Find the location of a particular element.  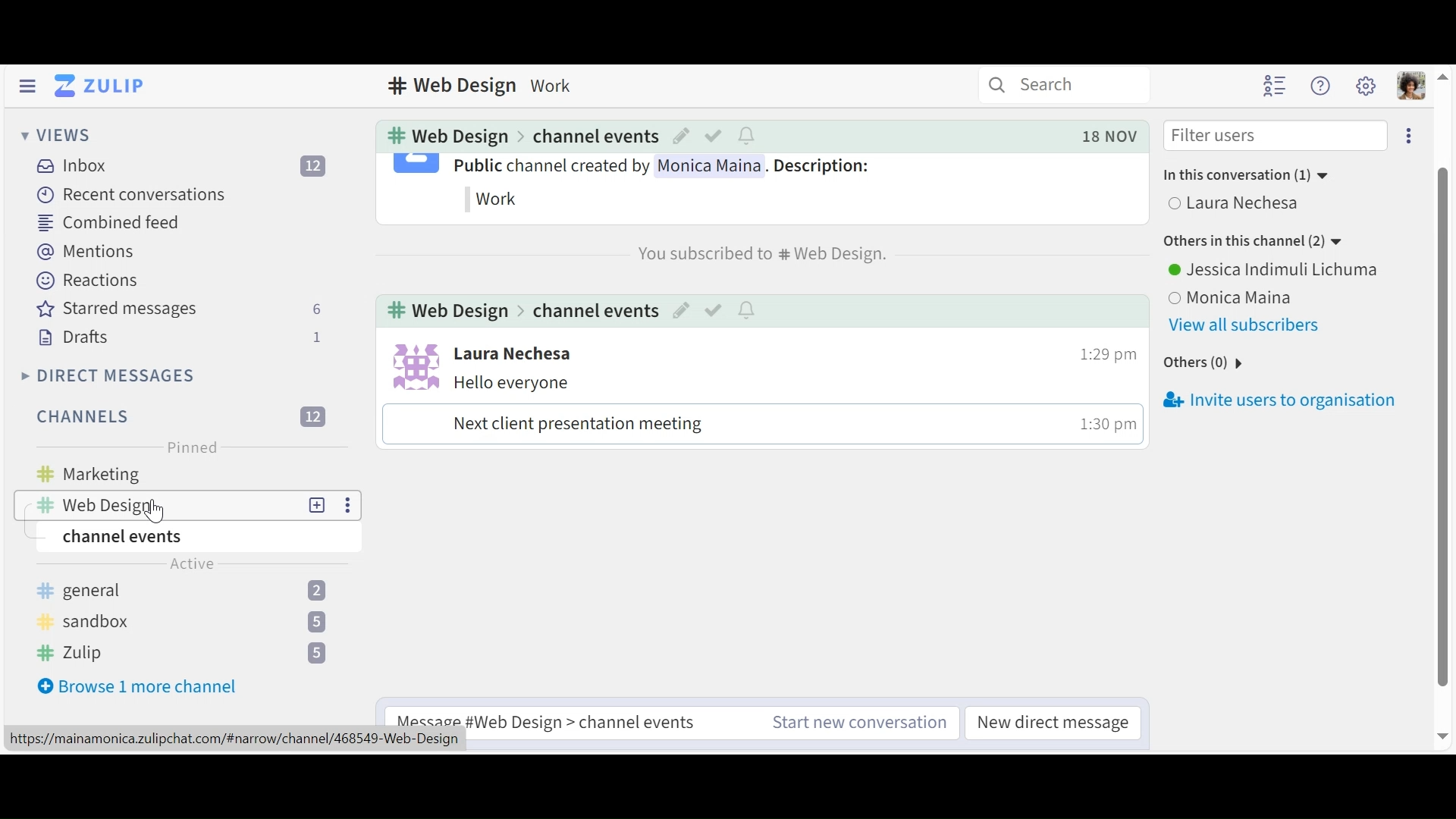

Recent Conversations is located at coordinates (135, 195).